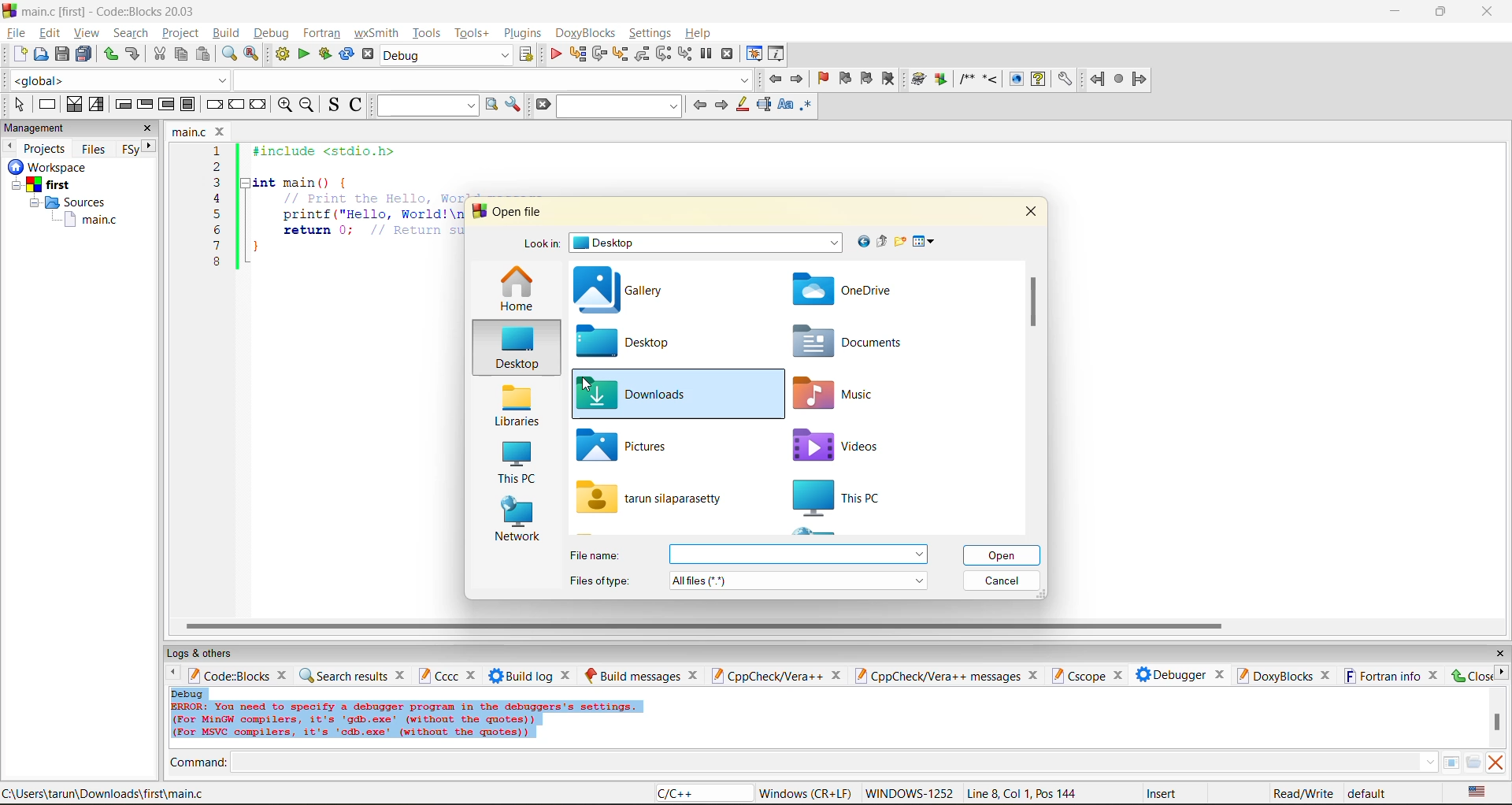  What do you see at coordinates (1326, 676) in the screenshot?
I see `close` at bounding box center [1326, 676].